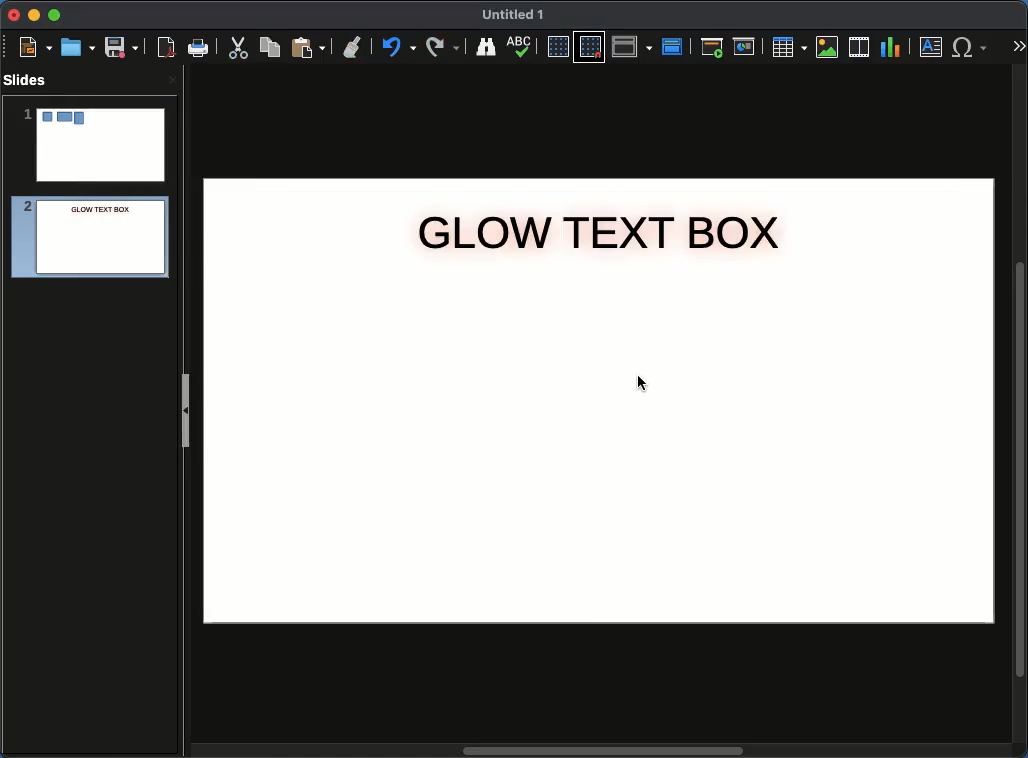 This screenshot has width=1028, height=758. I want to click on New, so click(35, 46).